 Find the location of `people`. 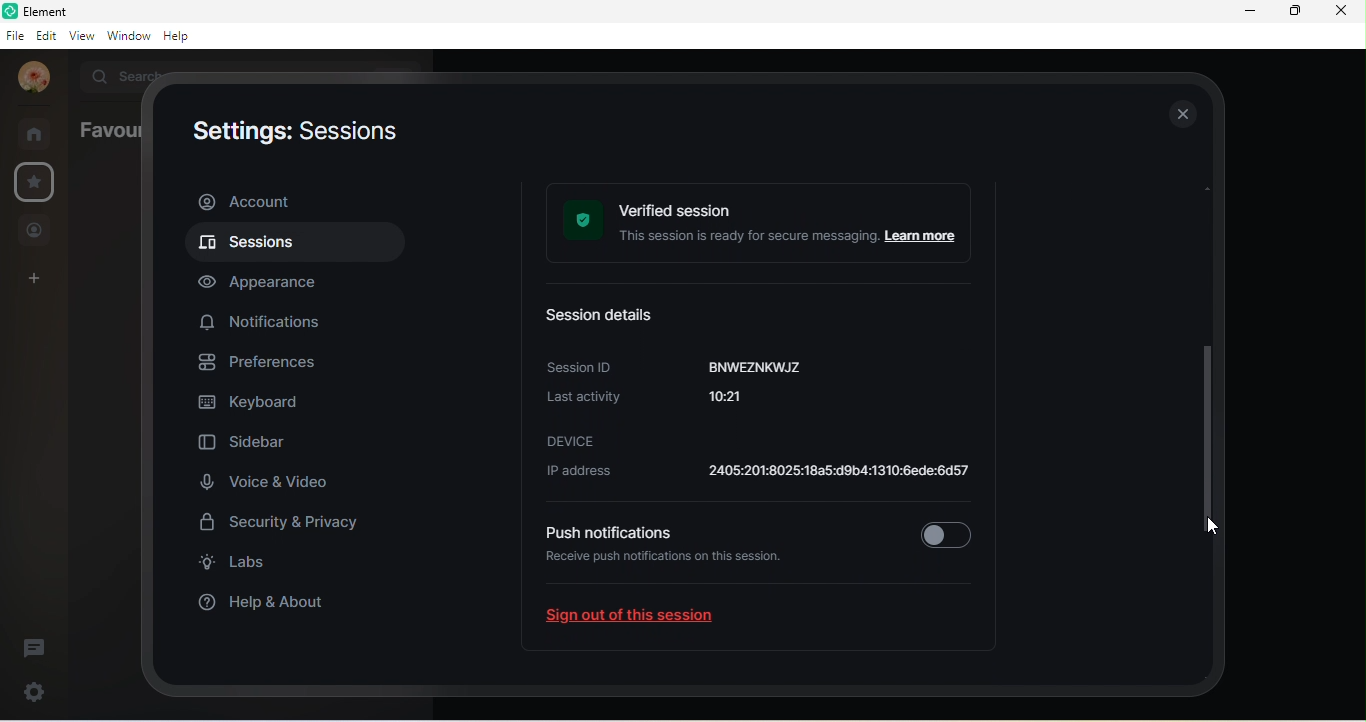

people is located at coordinates (35, 232).